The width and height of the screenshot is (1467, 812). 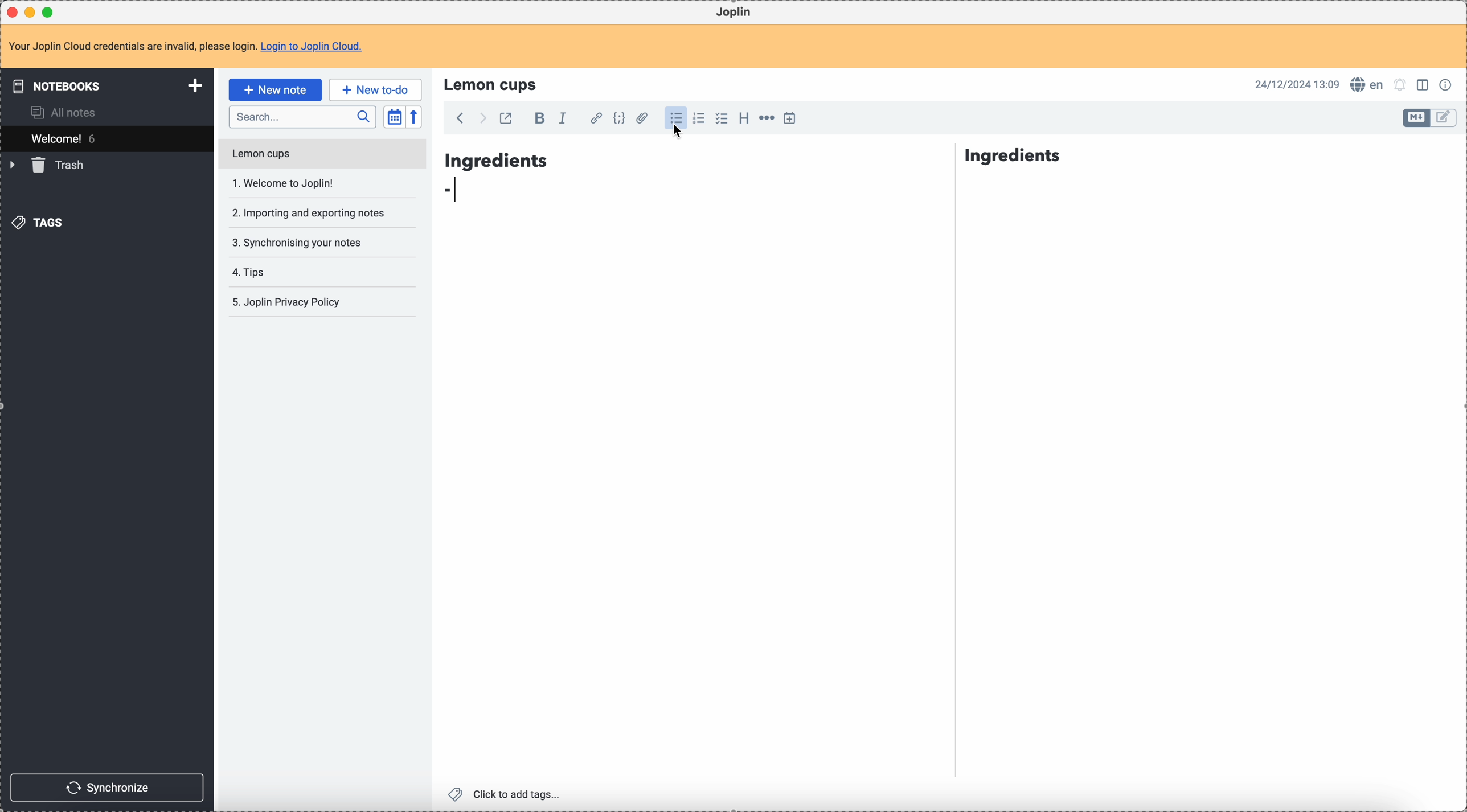 I want to click on back, so click(x=460, y=118).